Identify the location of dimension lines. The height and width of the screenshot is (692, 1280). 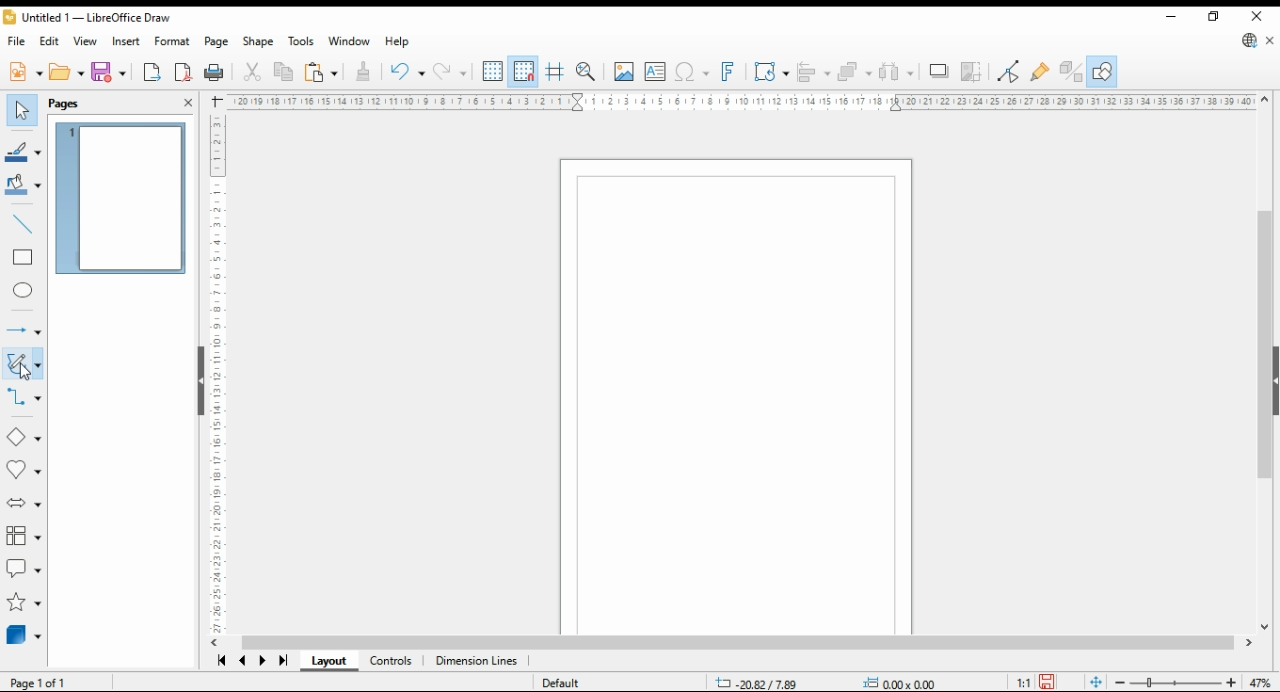
(476, 661).